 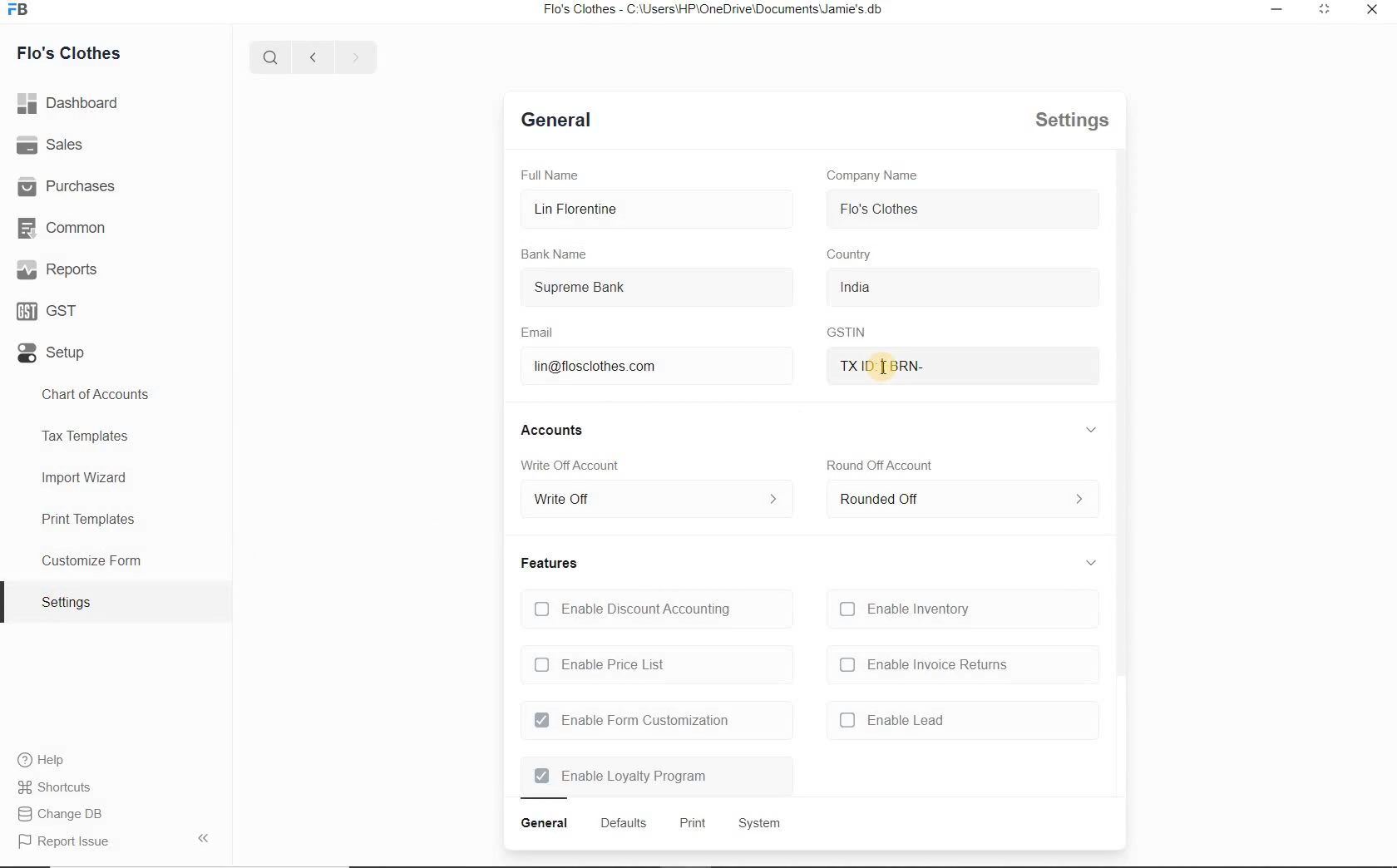 I want to click on Purchases, so click(x=75, y=187).